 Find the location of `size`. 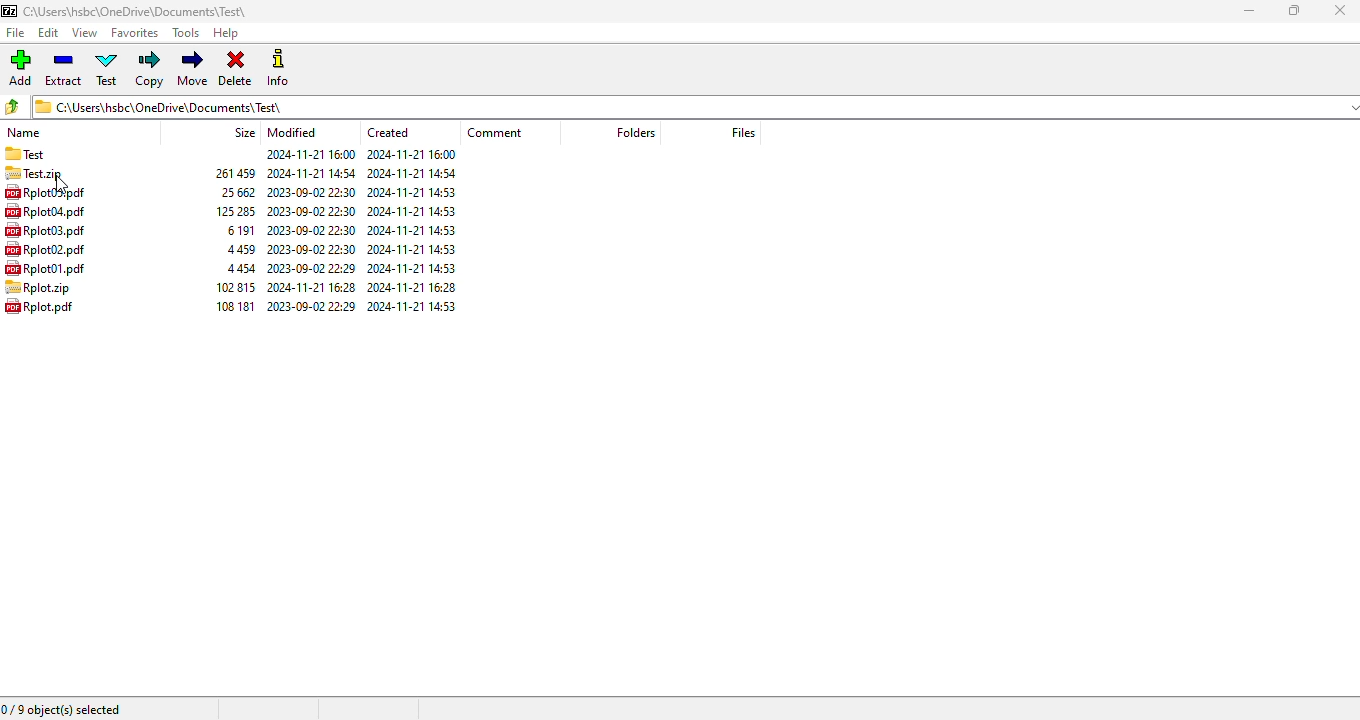

size is located at coordinates (239, 249).